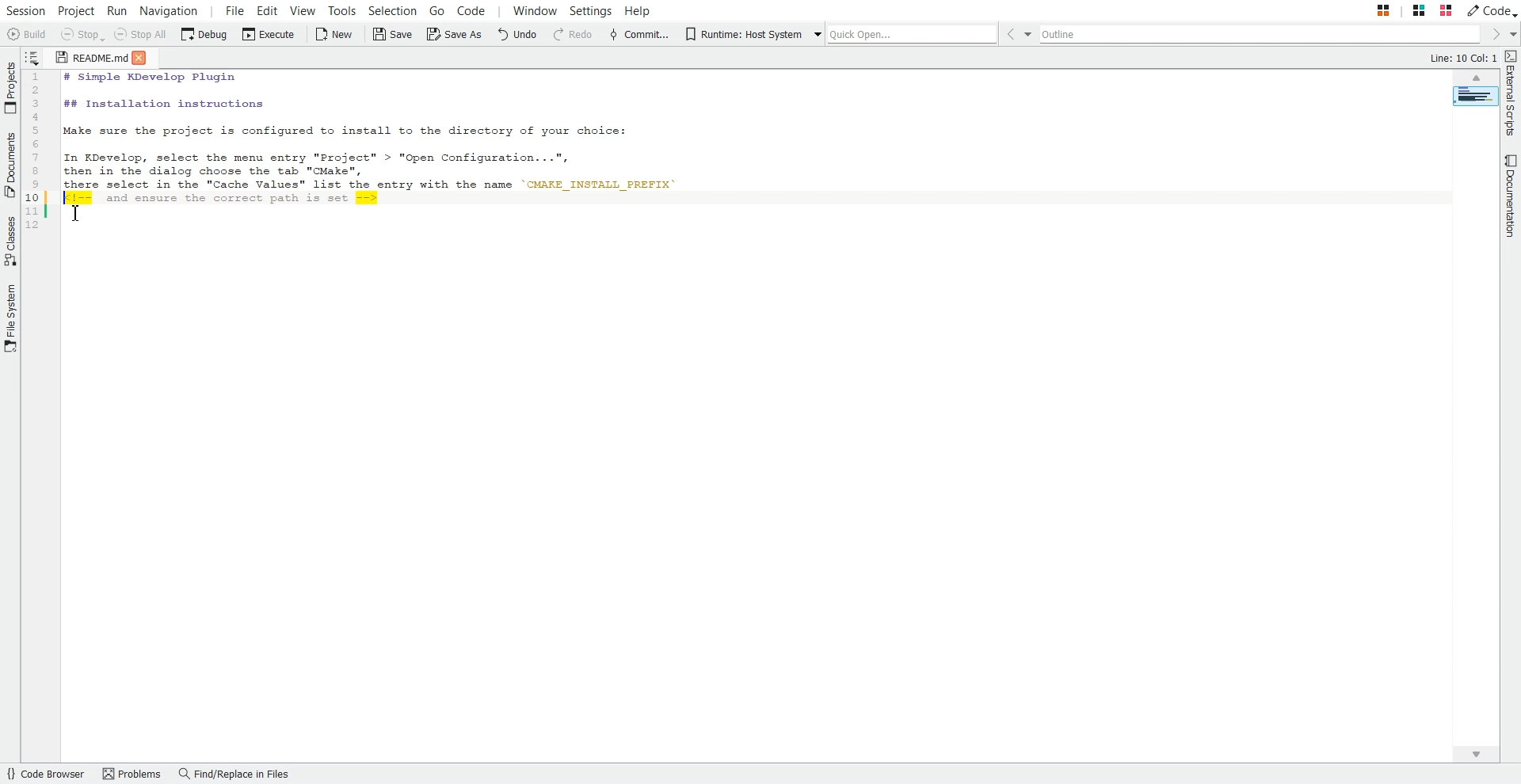 The width and height of the screenshot is (1521, 784). What do you see at coordinates (470, 10) in the screenshot?
I see `Code` at bounding box center [470, 10].